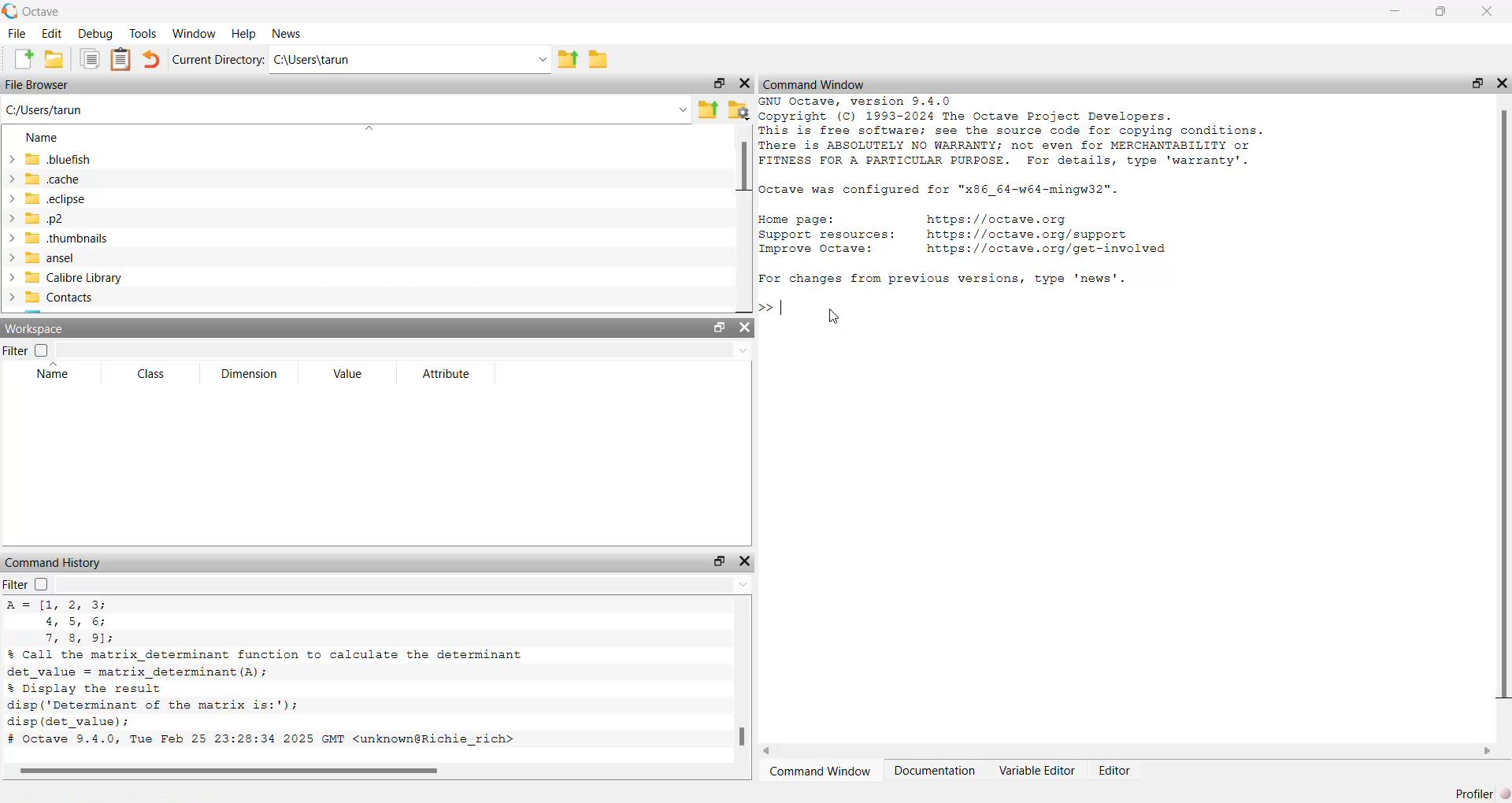 The height and width of the screenshot is (803, 1512). What do you see at coordinates (50, 179) in the screenshot?
I see `cache` at bounding box center [50, 179].